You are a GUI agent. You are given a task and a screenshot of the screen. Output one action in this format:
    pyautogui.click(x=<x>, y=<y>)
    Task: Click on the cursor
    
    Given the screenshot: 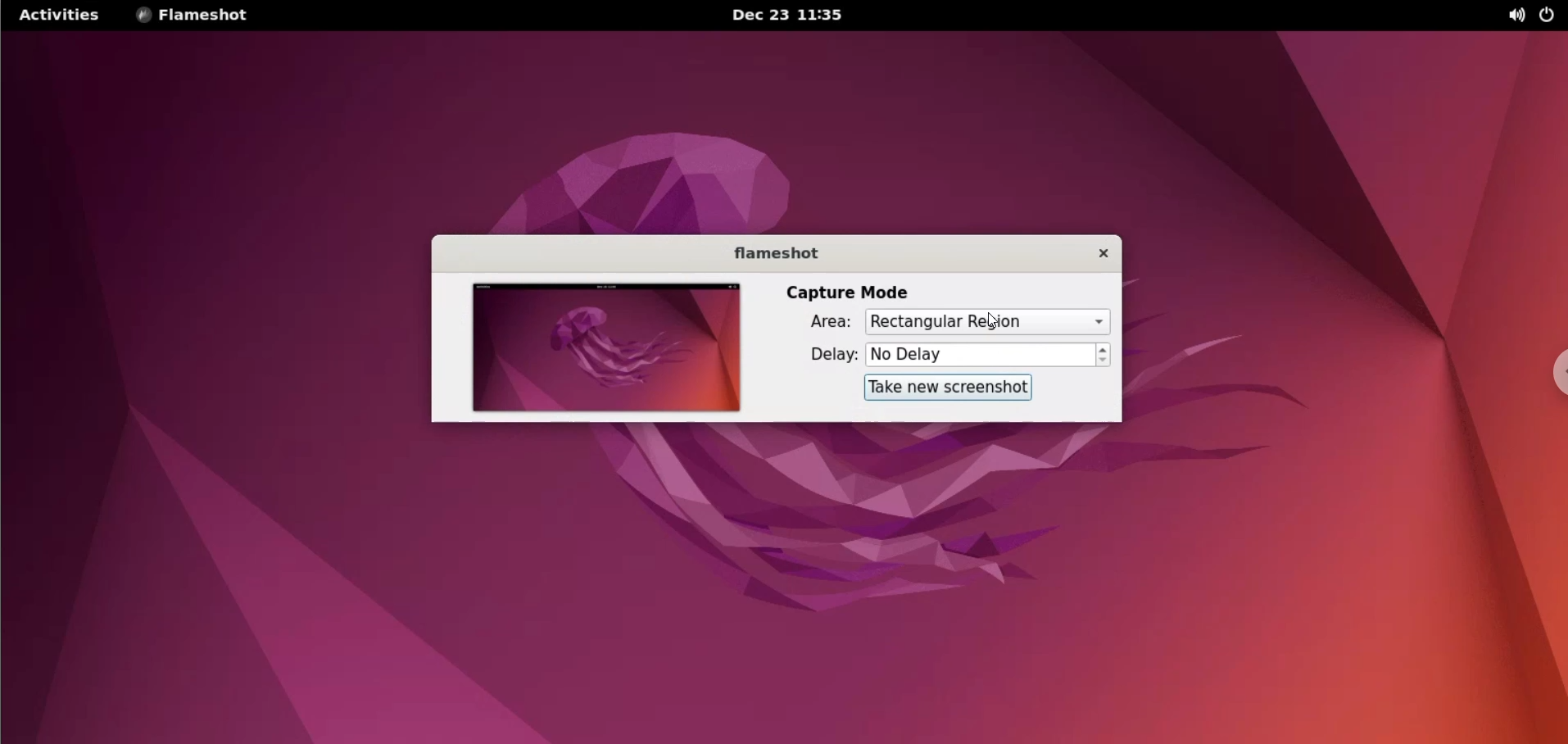 What is the action you would take?
    pyautogui.click(x=996, y=321)
    